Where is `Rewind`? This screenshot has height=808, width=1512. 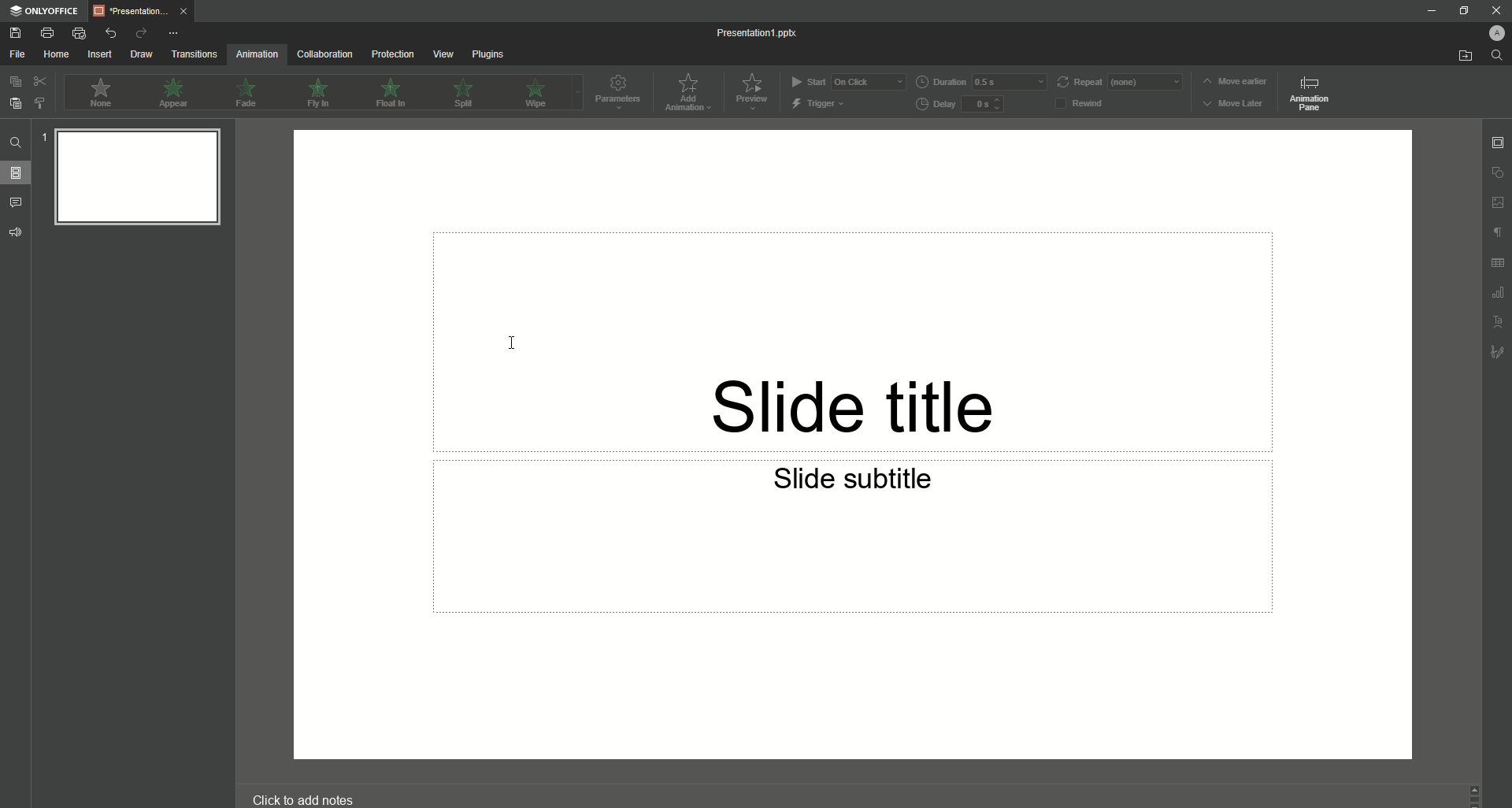
Rewind is located at coordinates (1092, 102).